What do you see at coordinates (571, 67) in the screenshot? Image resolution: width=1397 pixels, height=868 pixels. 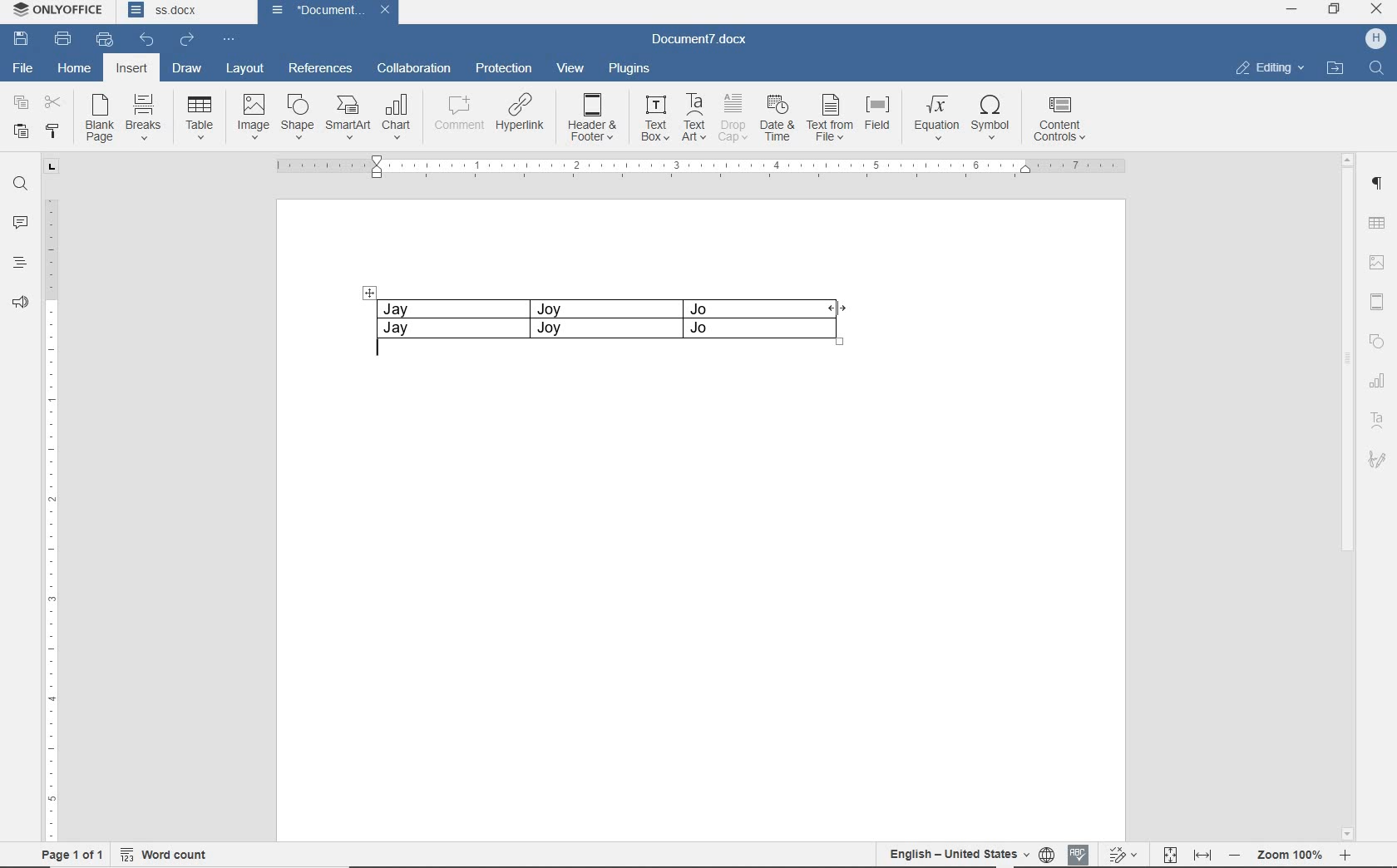 I see `VIEW` at bounding box center [571, 67].